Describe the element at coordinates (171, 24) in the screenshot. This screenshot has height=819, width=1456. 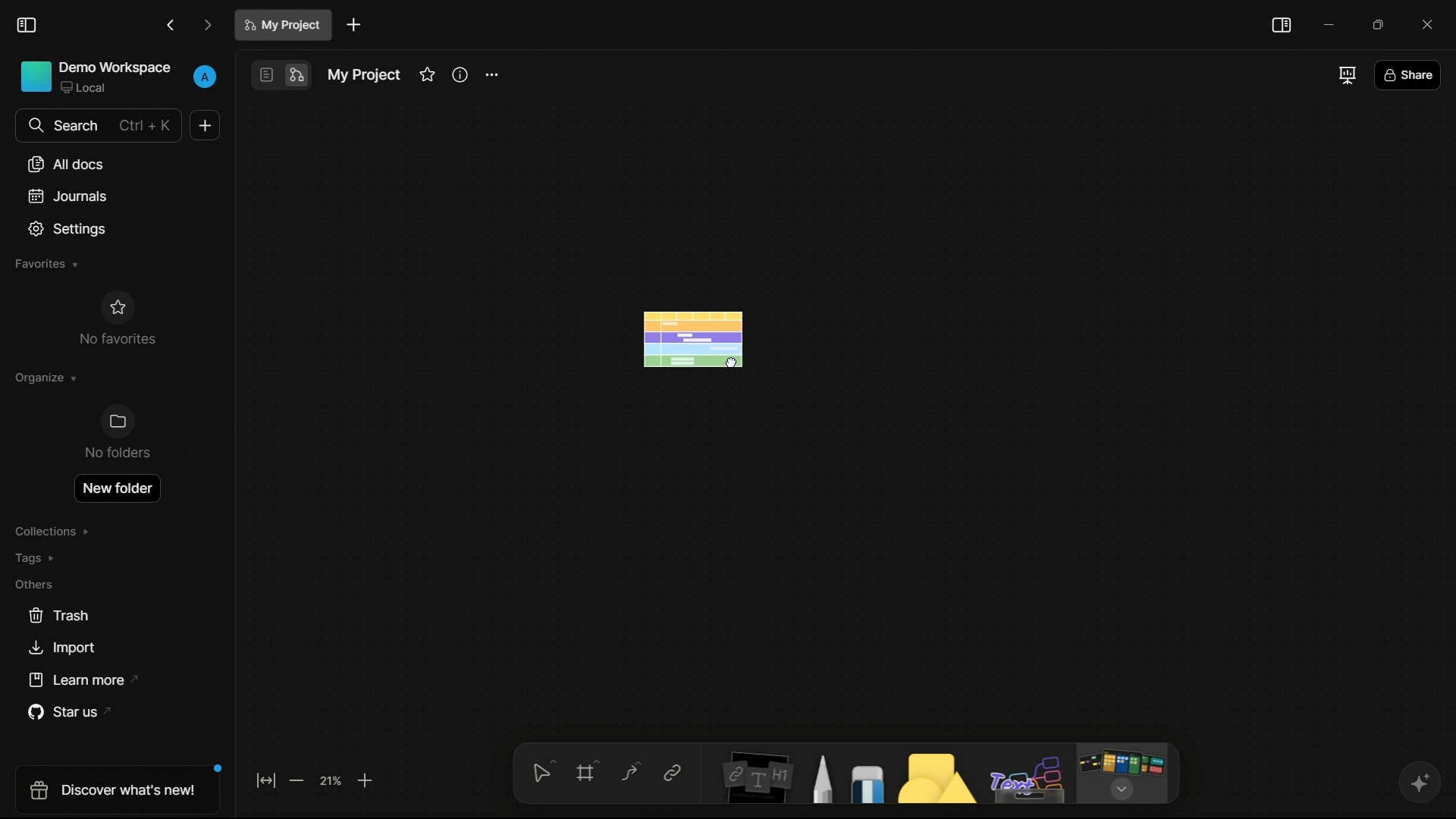
I see `back` at that location.